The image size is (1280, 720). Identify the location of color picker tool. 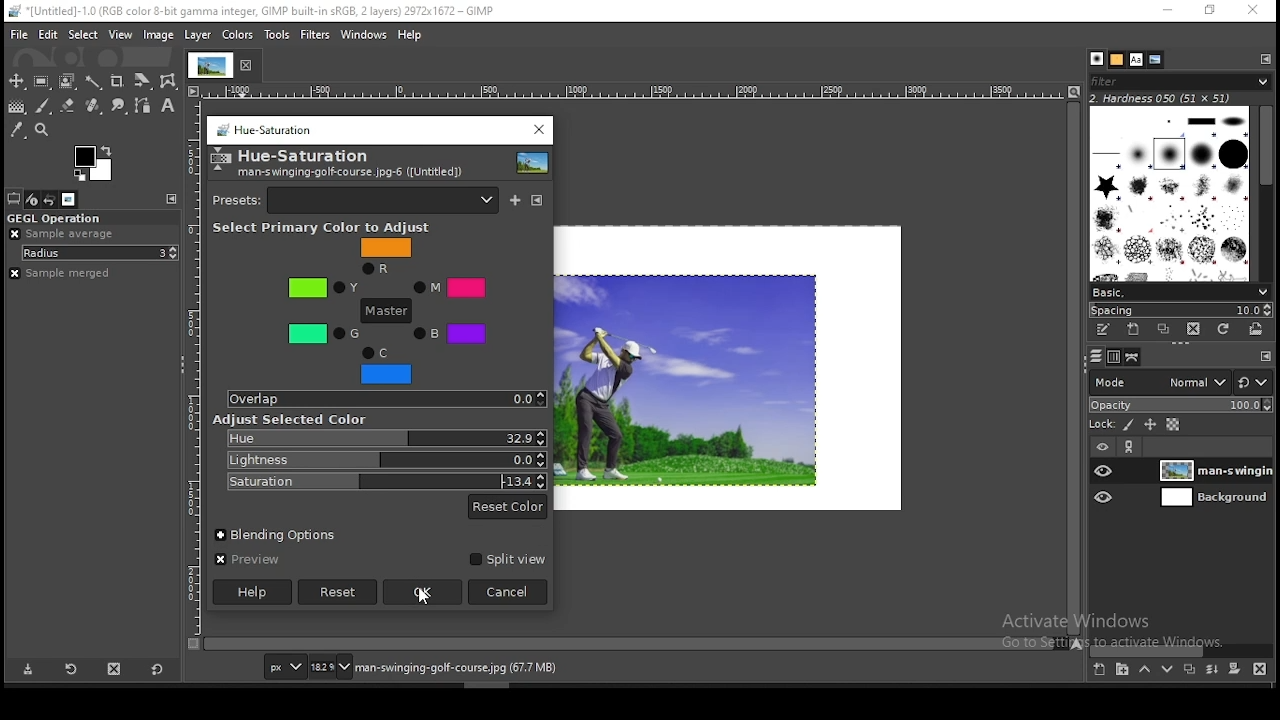
(18, 129).